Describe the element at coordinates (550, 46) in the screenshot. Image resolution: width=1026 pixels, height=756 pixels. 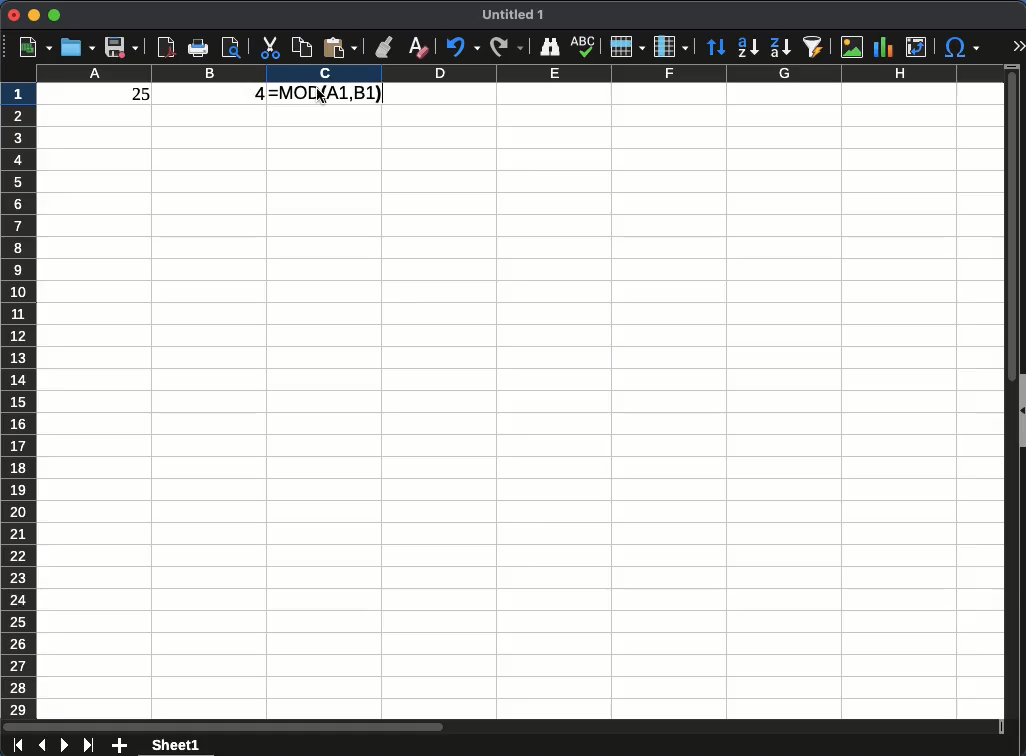
I see `finder` at that location.